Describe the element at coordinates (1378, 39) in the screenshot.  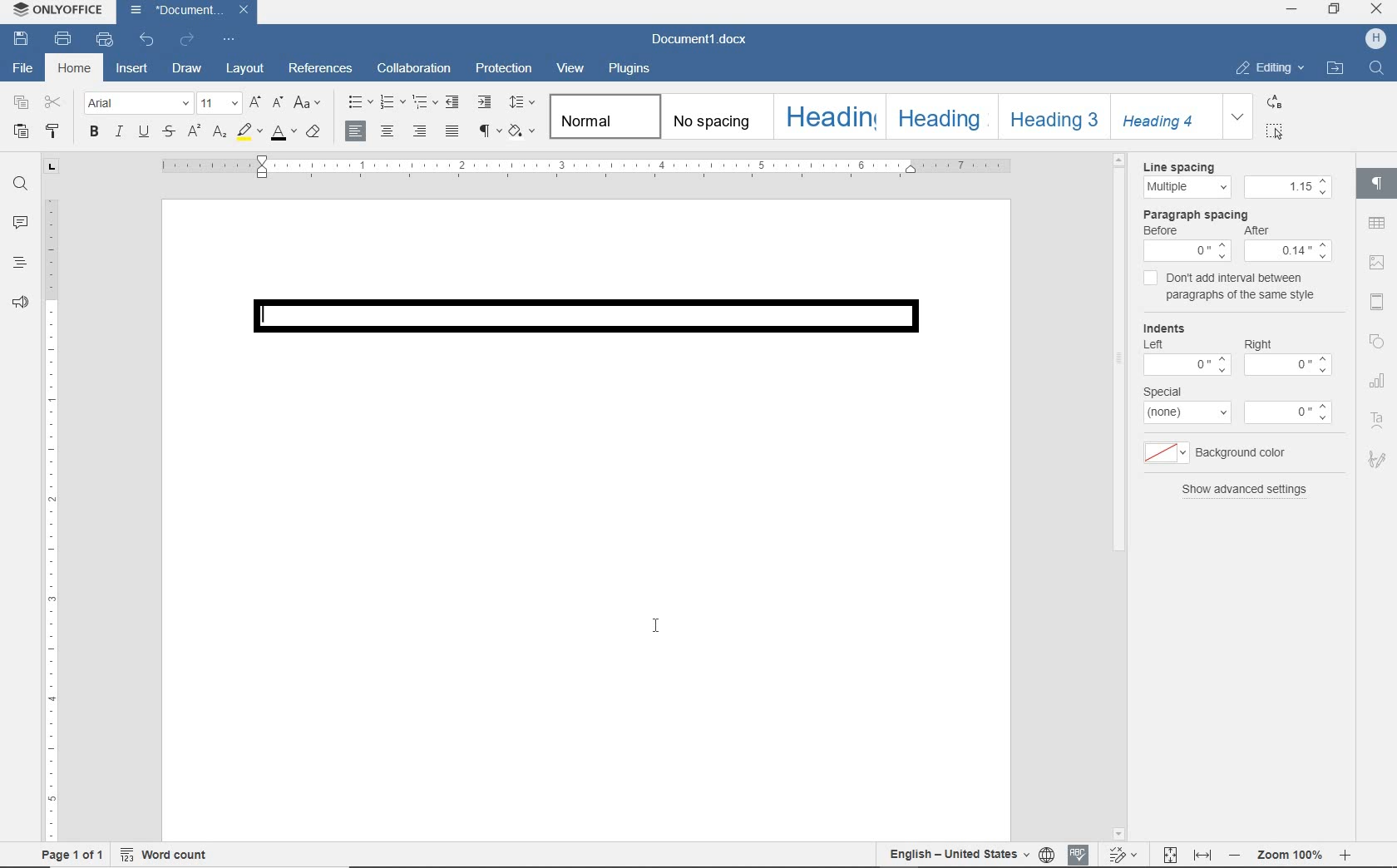
I see `H` at that location.